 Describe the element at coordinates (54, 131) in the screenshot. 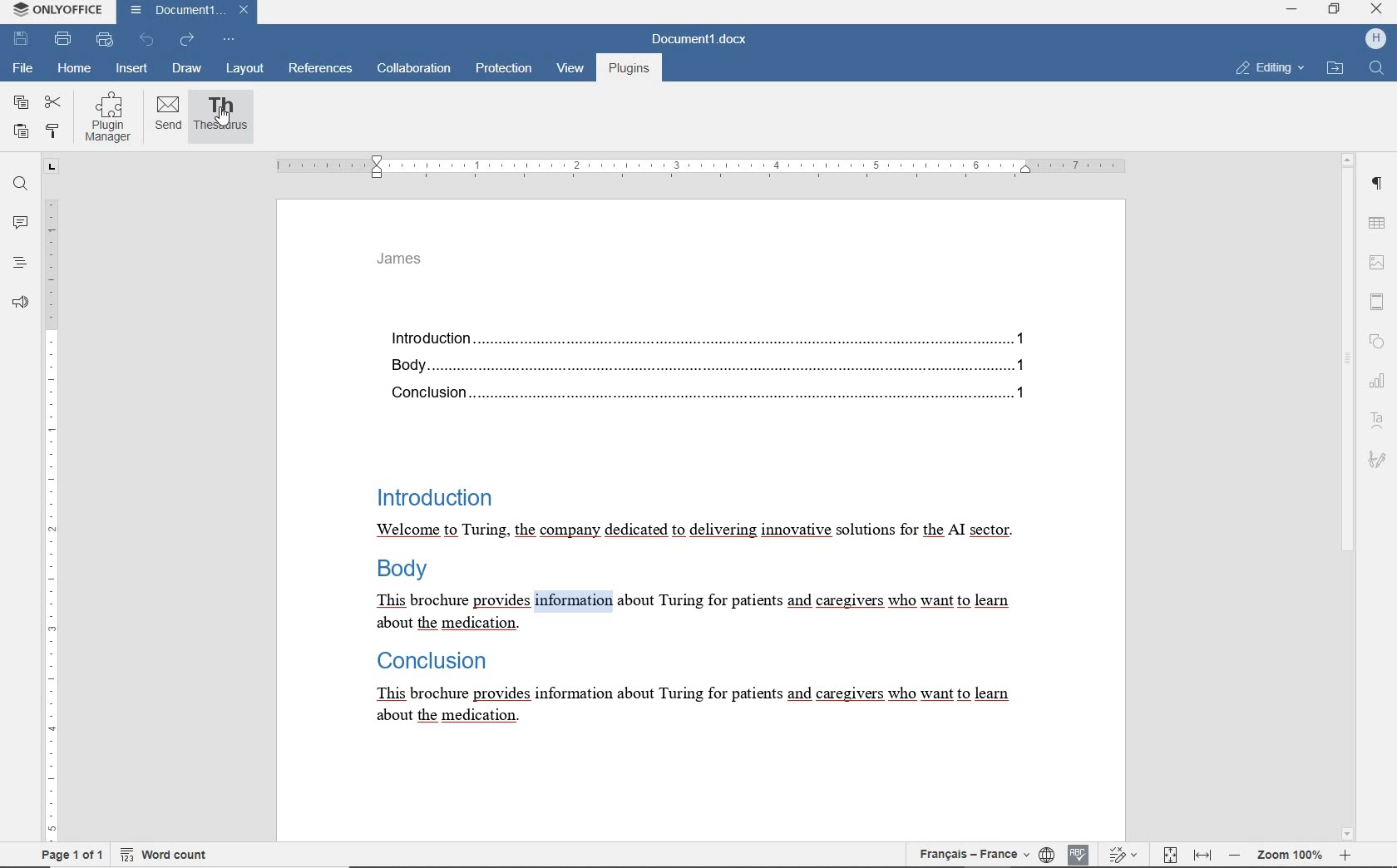

I see `COPY STYLE` at that location.